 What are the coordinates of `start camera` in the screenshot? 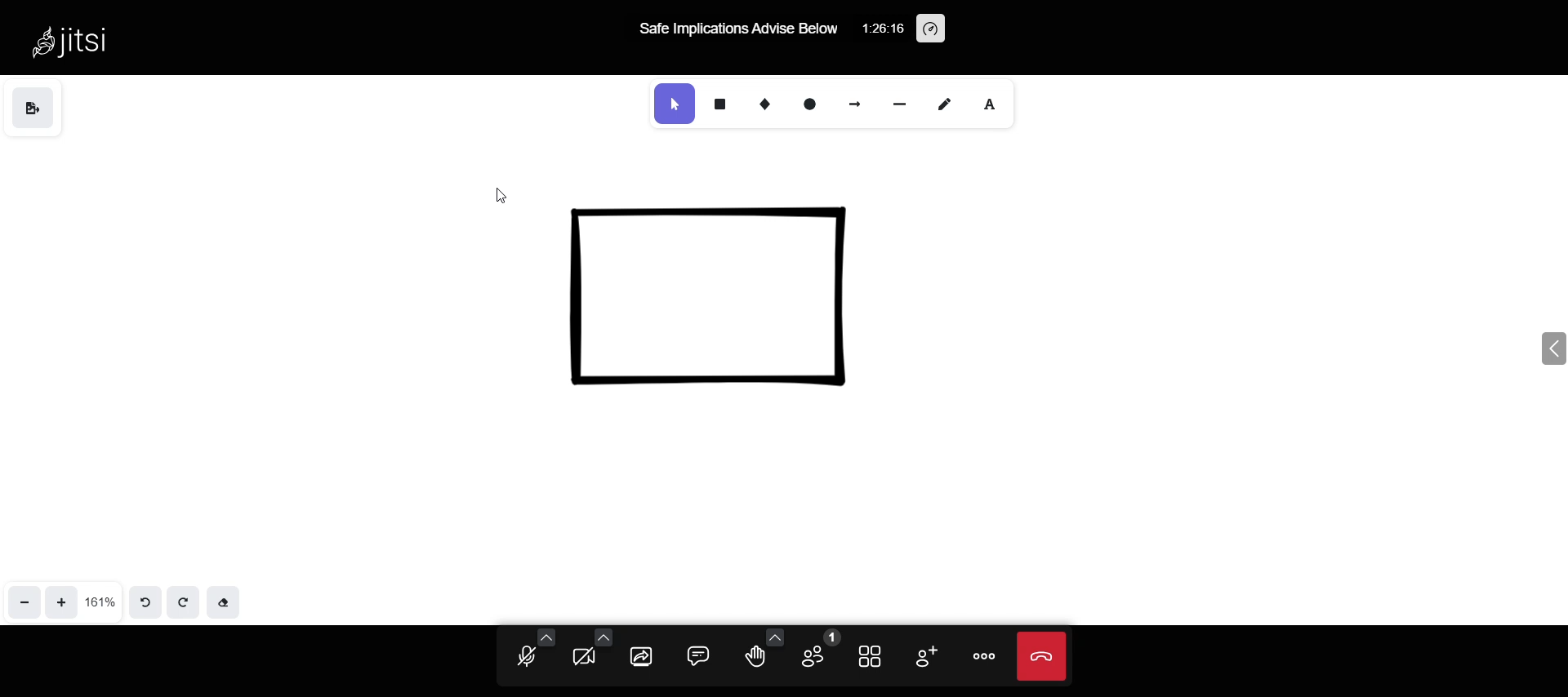 It's located at (583, 657).